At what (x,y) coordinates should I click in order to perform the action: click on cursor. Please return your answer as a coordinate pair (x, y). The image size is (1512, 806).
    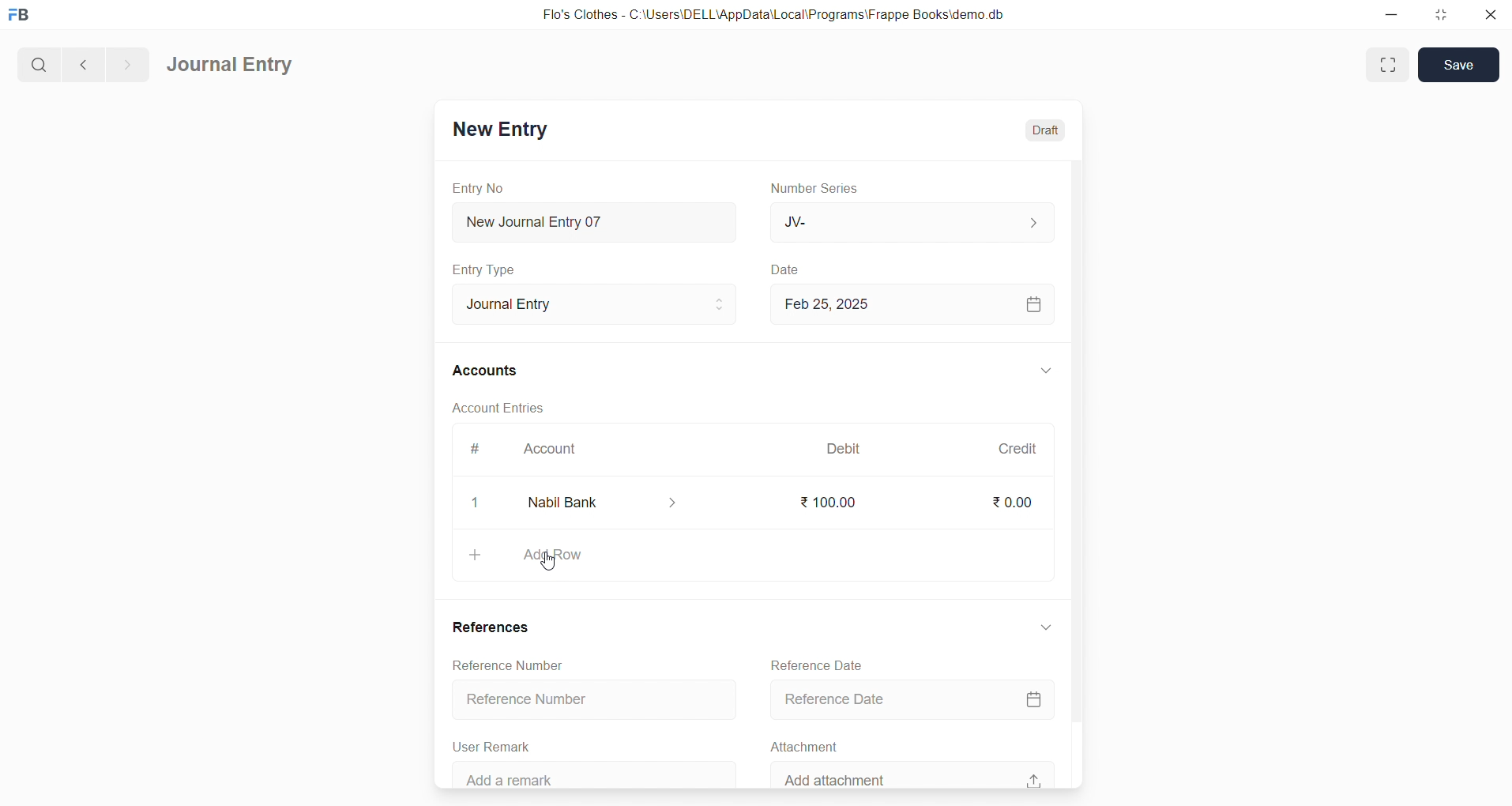
    Looking at the image, I should click on (548, 564).